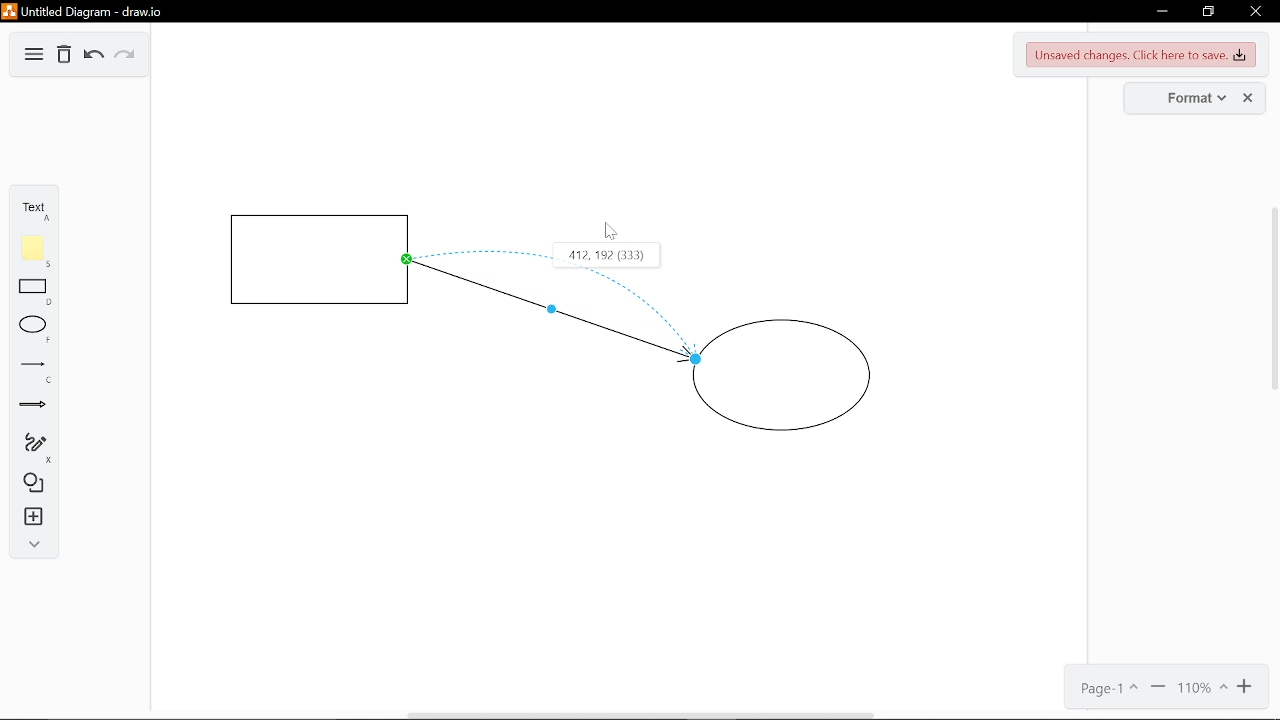 This screenshot has width=1280, height=720. Describe the element at coordinates (65, 56) in the screenshot. I see `Delete` at that location.